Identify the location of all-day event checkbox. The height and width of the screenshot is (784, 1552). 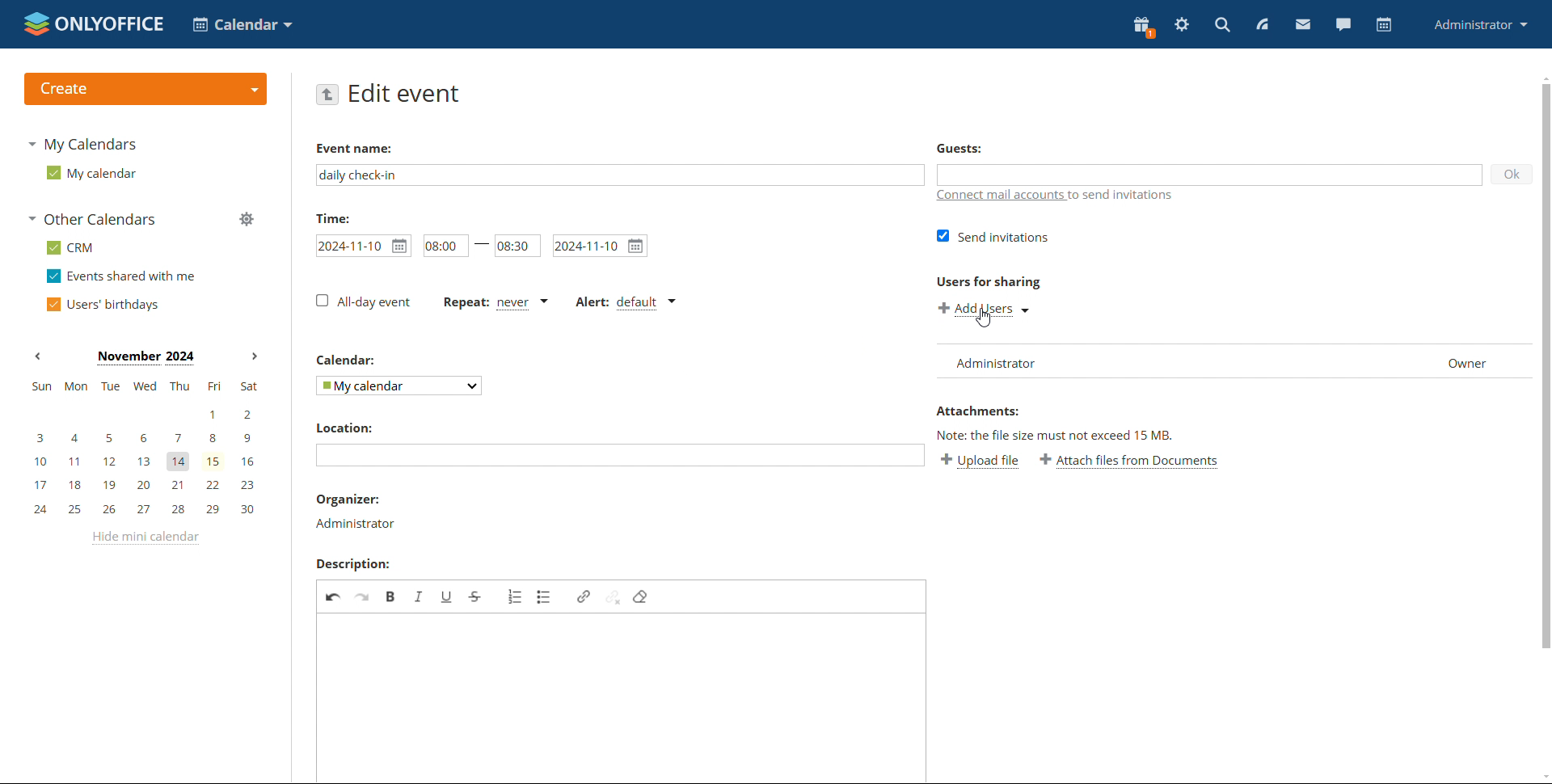
(363, 301).